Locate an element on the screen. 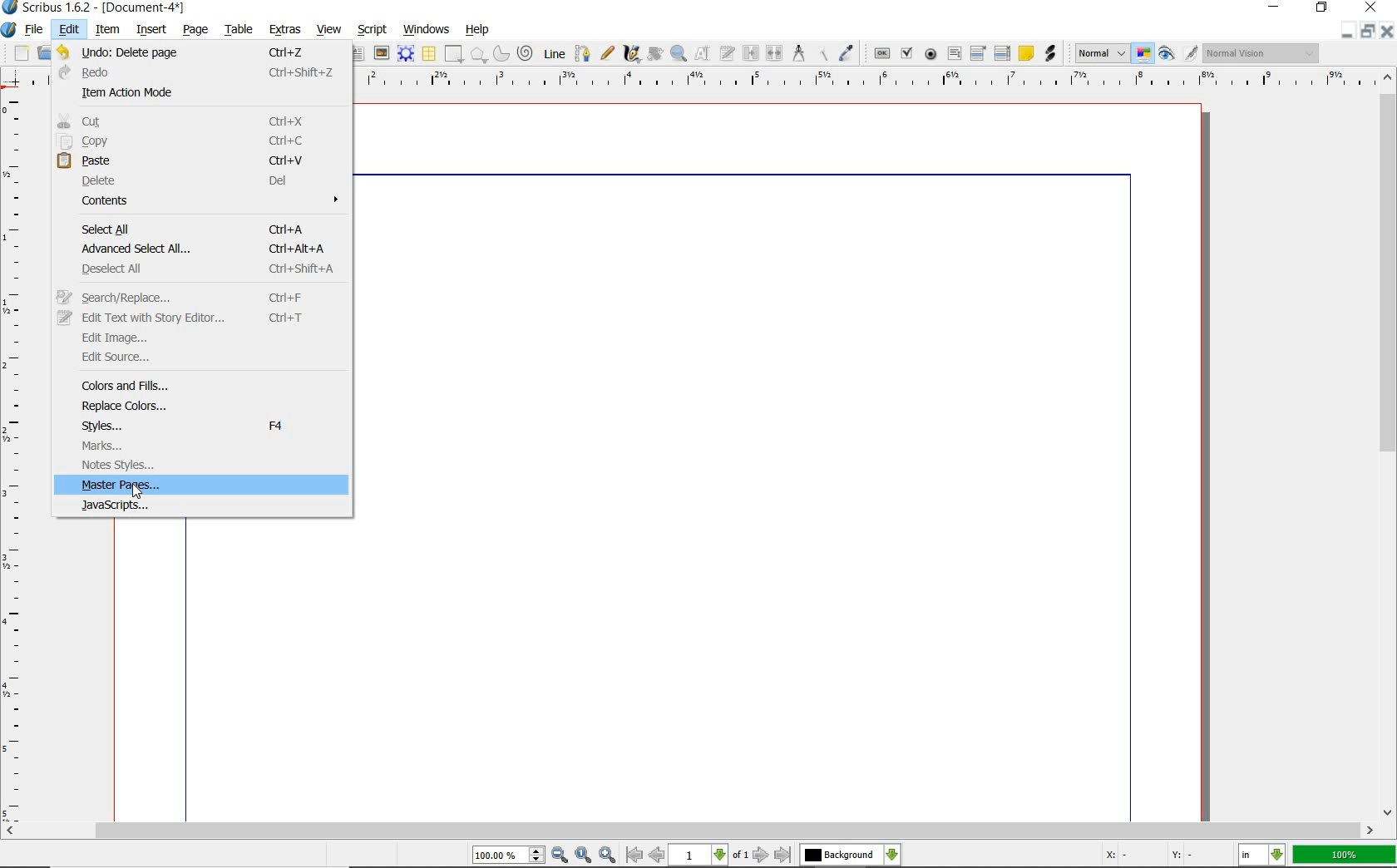 The width and height of the screenshot is (1397, 868). master pages is located at coordinates (202, 486).